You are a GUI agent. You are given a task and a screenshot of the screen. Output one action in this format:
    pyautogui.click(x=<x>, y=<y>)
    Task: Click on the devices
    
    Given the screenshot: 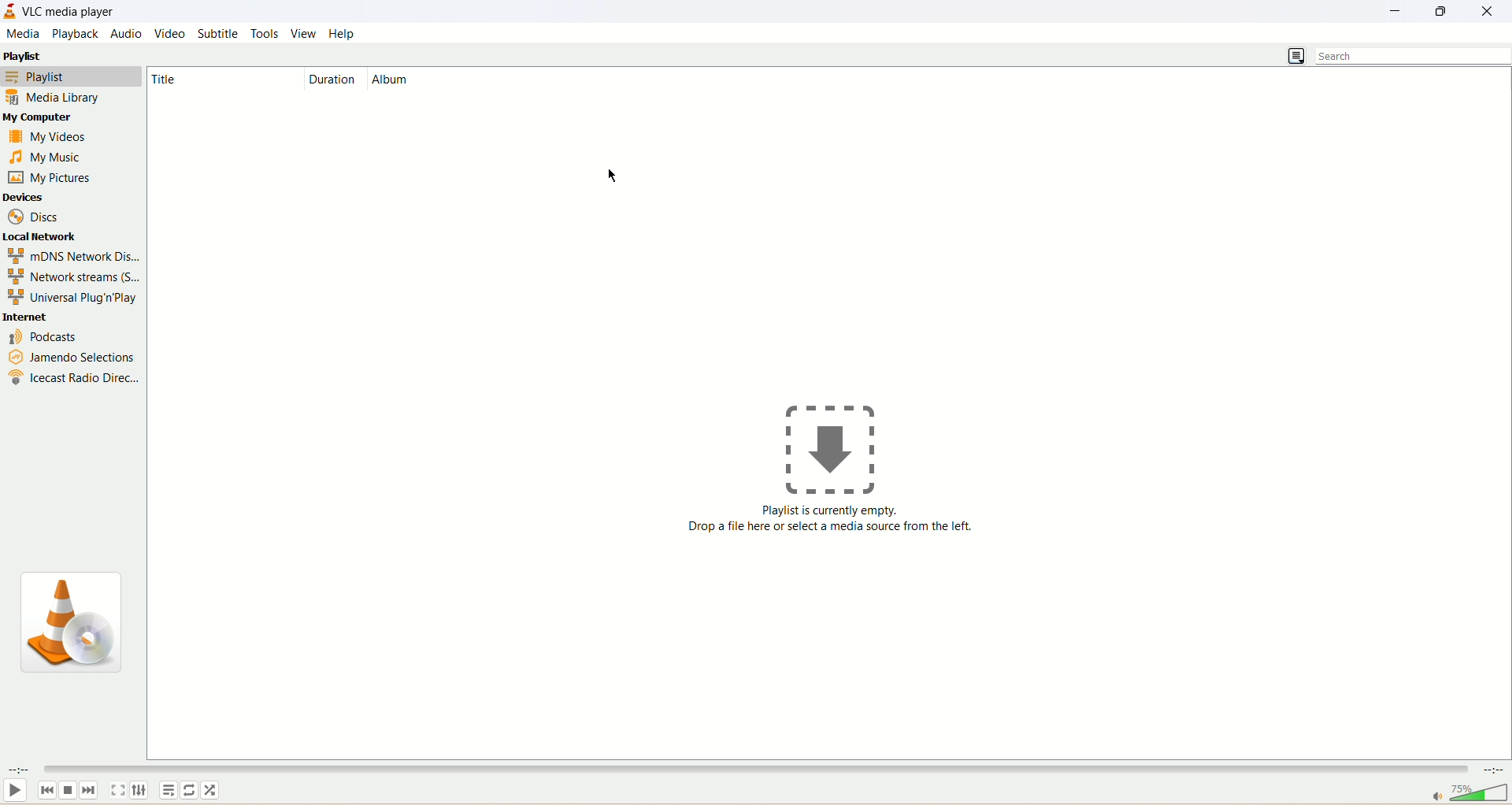 What is the action you would take?
    pyautogui.click(x=27, y=199)
    